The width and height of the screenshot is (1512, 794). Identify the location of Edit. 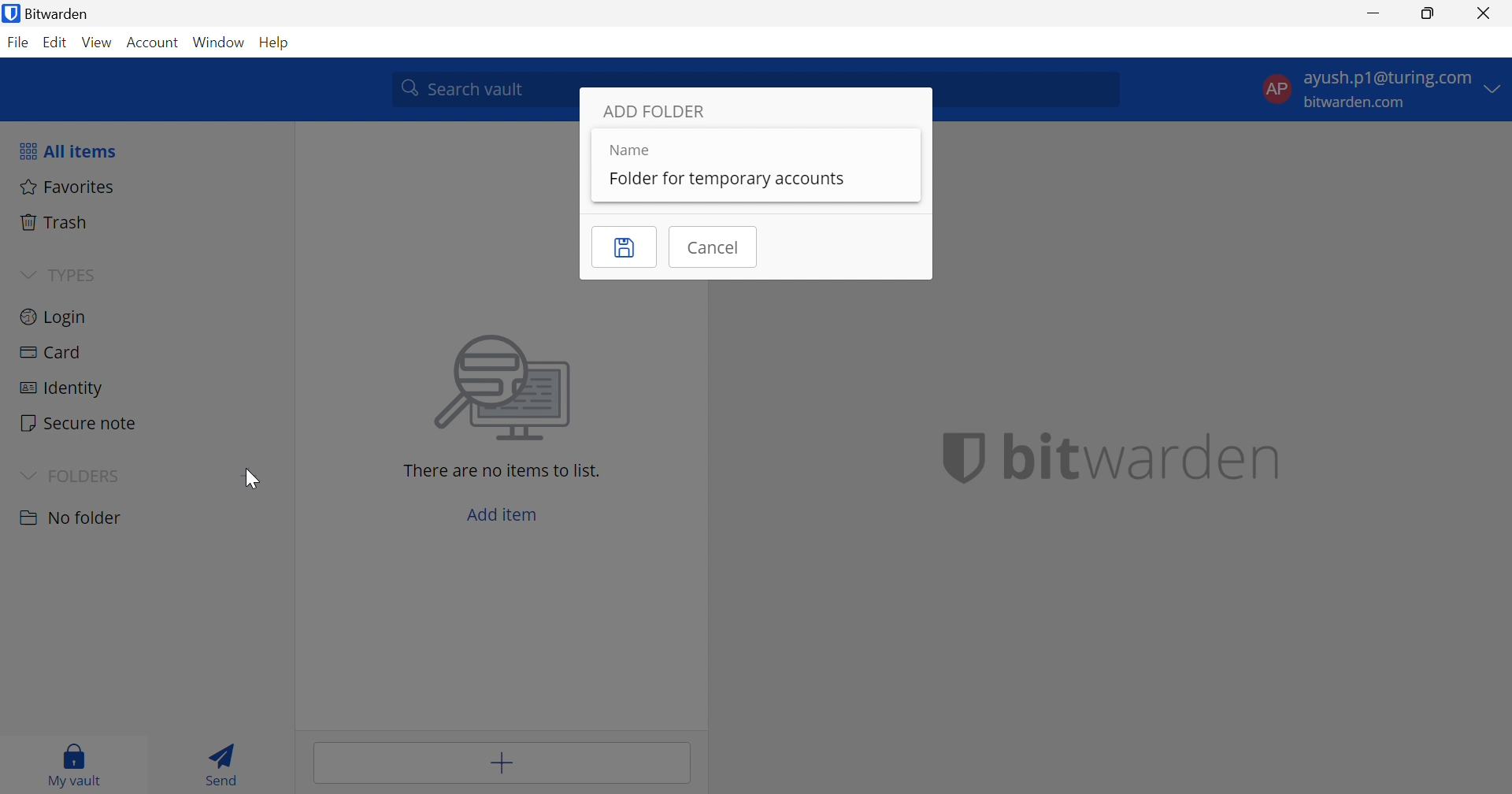
(58, 43).